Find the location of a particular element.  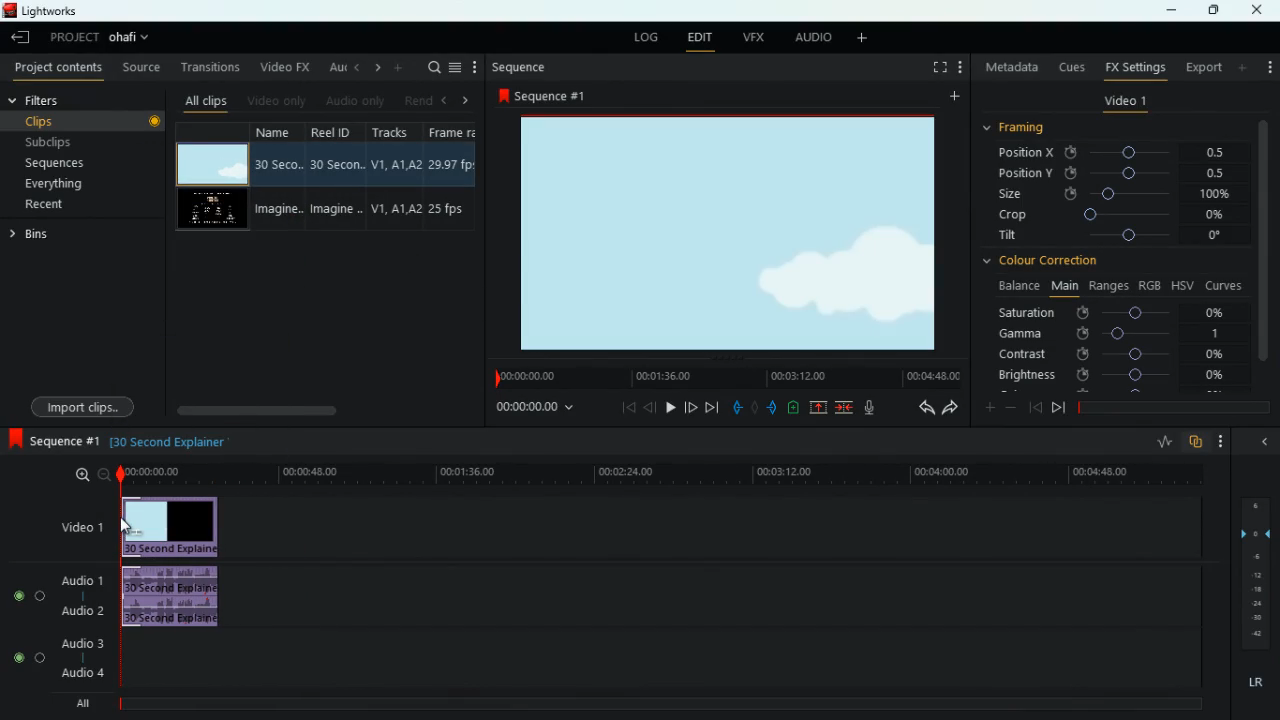

 is located at coordinates (155, 123).